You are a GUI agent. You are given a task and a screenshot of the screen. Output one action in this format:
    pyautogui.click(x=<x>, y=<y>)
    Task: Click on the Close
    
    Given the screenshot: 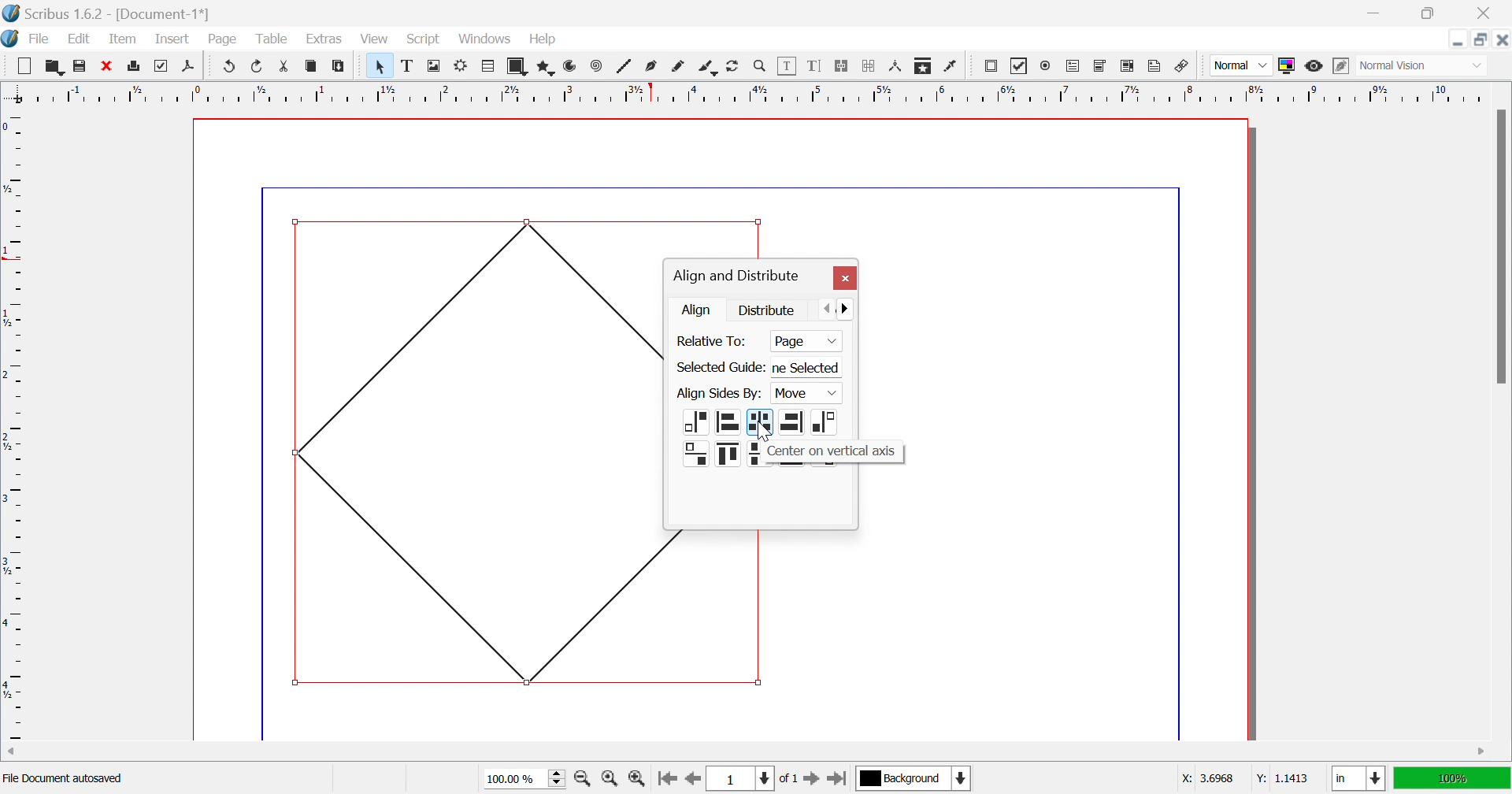 What is the action you would take?
    pyautogui.click(x=1488, y=13)
    